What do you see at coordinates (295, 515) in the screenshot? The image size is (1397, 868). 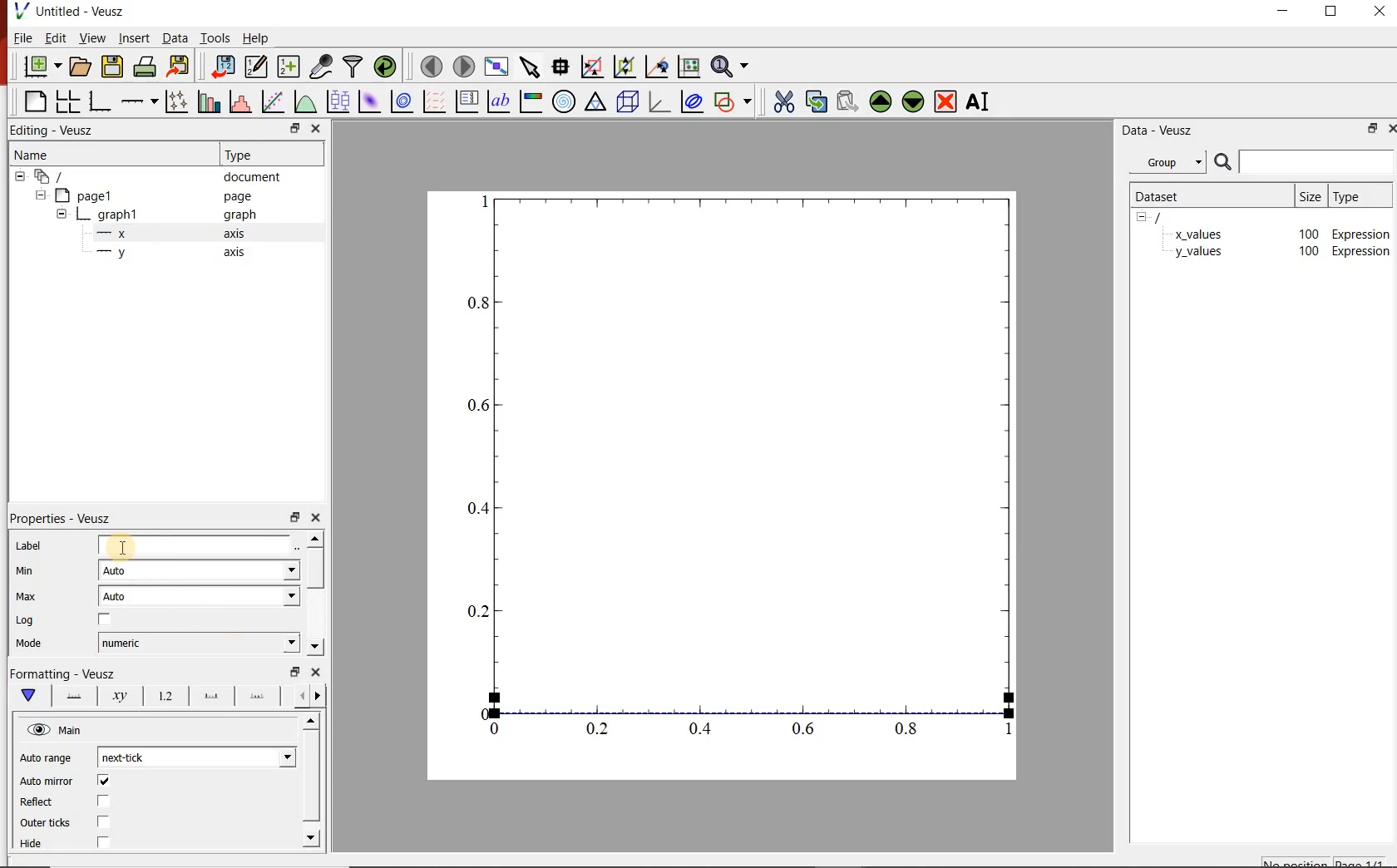 I see `restore down` at bounding box center [295, 515].